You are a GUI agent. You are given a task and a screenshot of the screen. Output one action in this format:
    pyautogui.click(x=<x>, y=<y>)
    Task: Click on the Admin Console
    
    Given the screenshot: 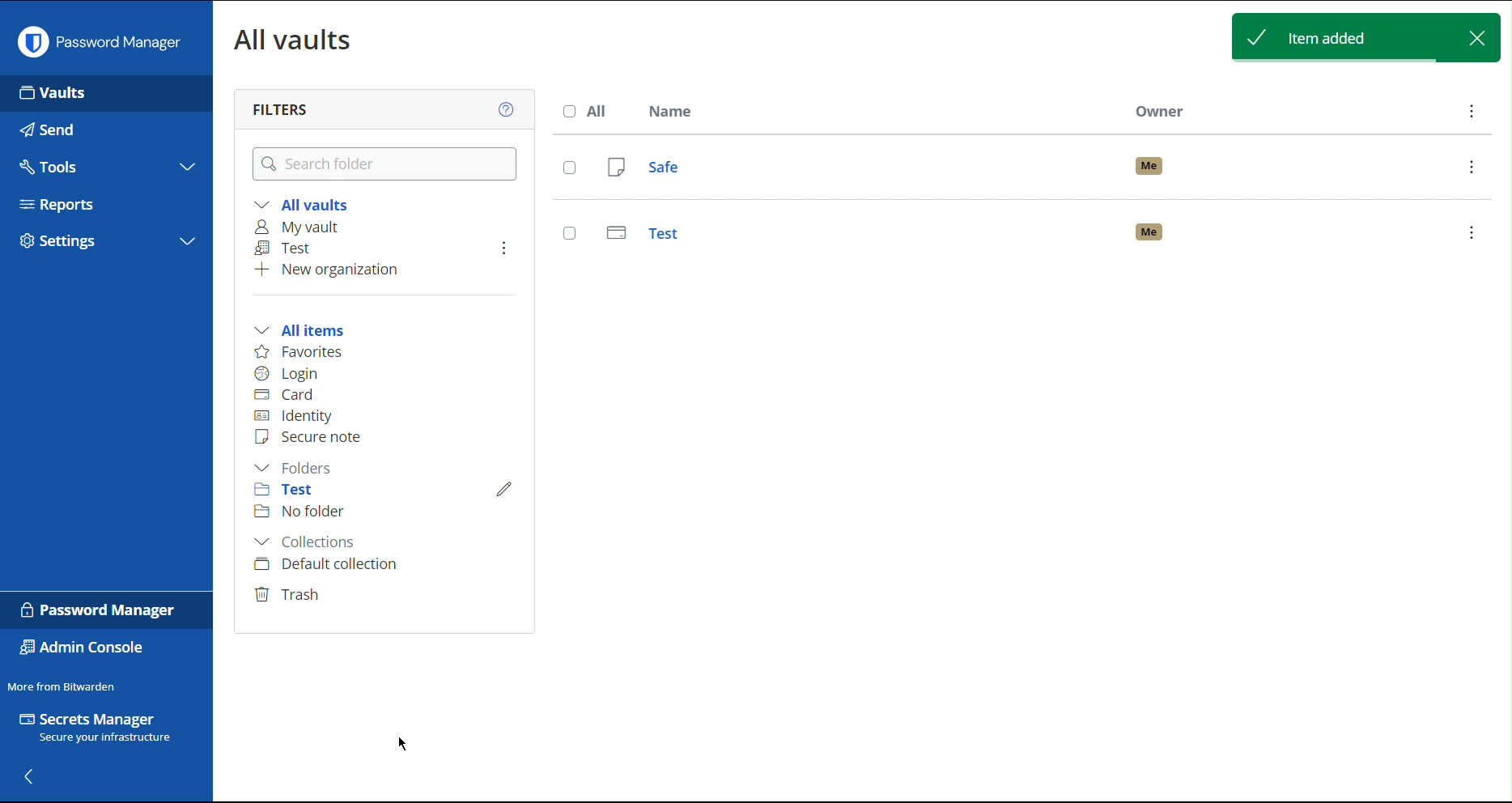 What is the action you would take?
    pyautogui.click(x=86, y=649)
    